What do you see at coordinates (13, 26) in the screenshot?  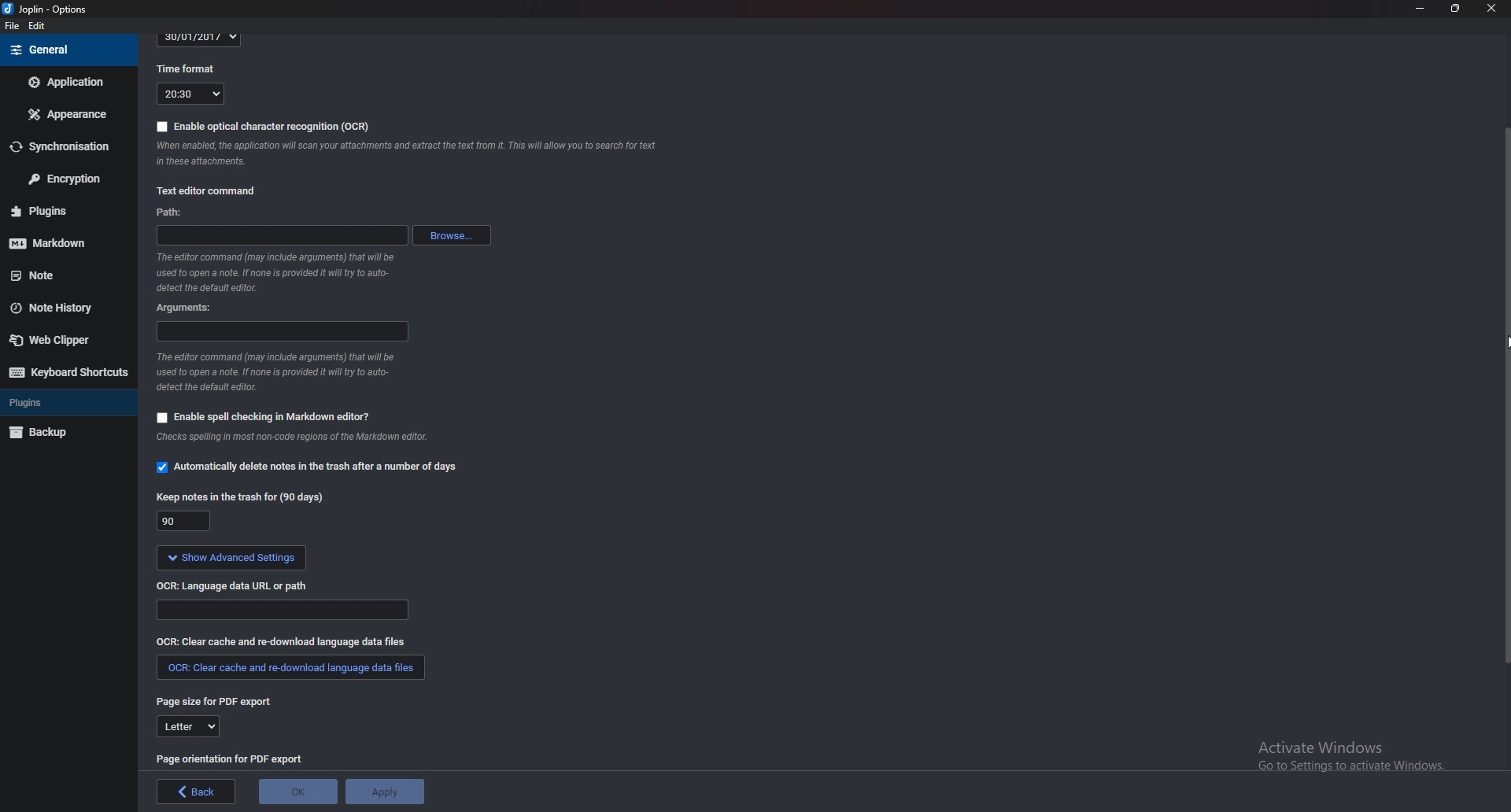 I see `File` at bounding box center [13, 26].